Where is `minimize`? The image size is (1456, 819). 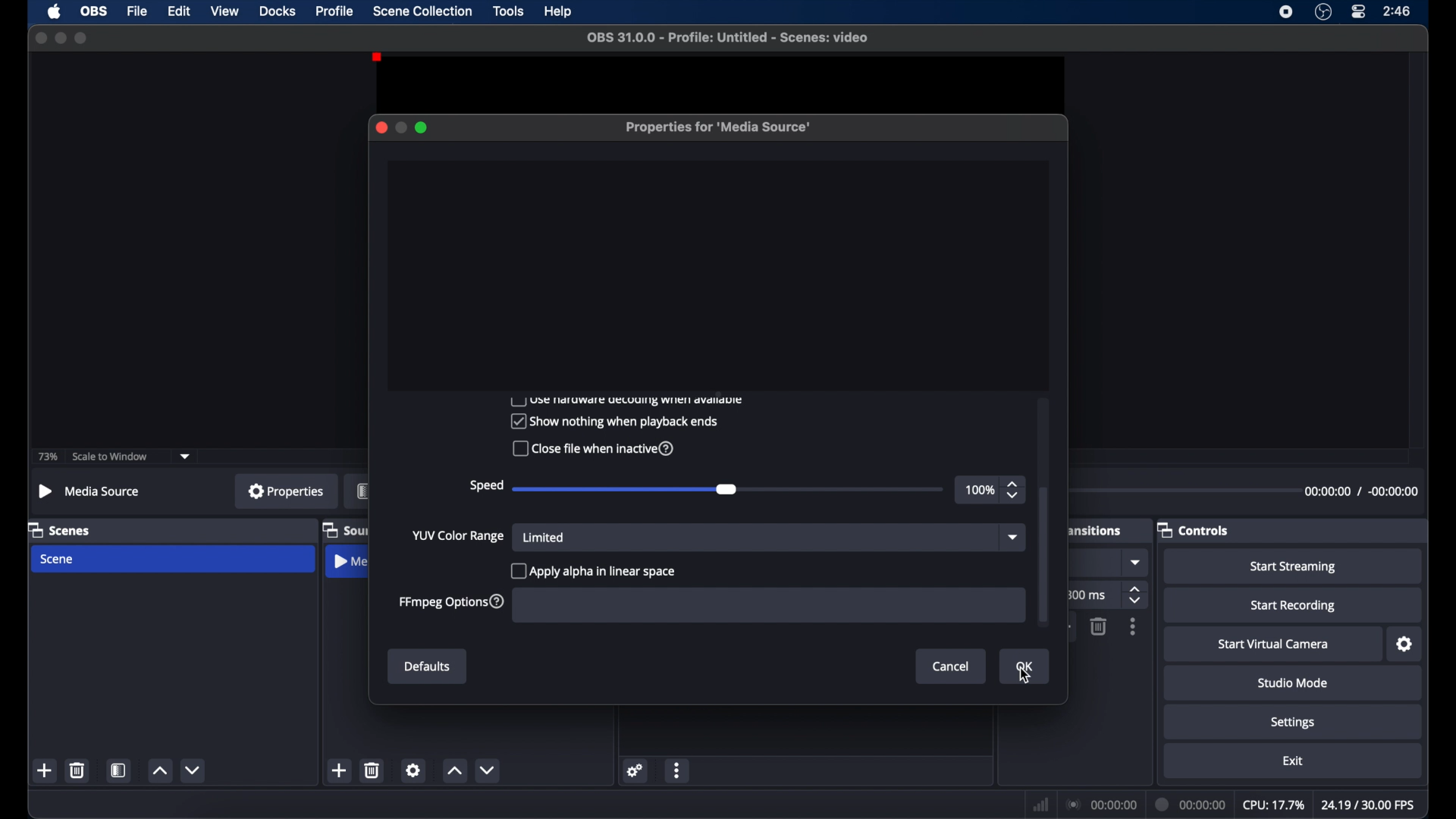
minimize is located at coordinates (60, 37).